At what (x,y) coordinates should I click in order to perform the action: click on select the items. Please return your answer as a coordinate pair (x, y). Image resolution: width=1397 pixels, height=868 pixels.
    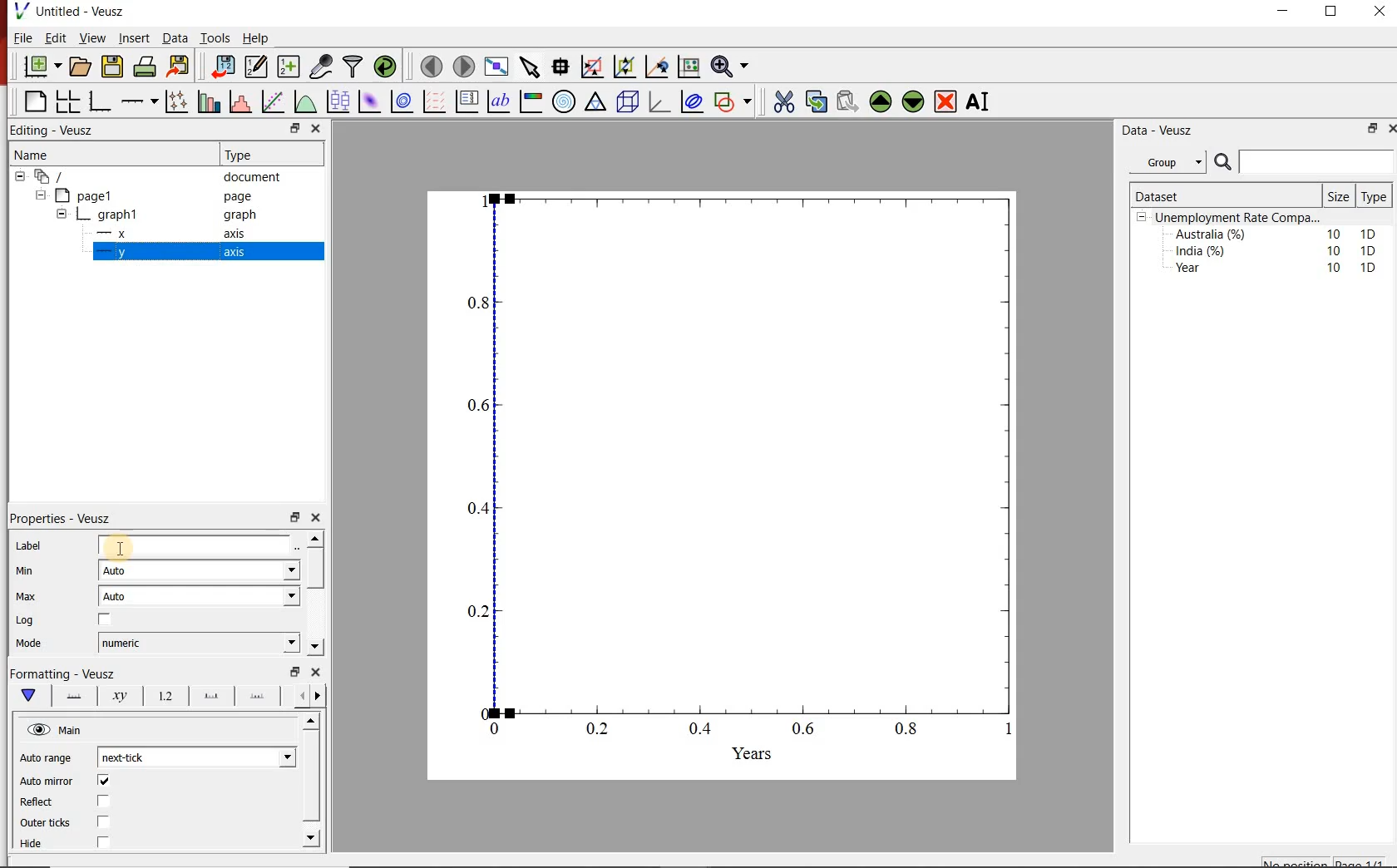
    Looking at the image, I should click on (531, 65).